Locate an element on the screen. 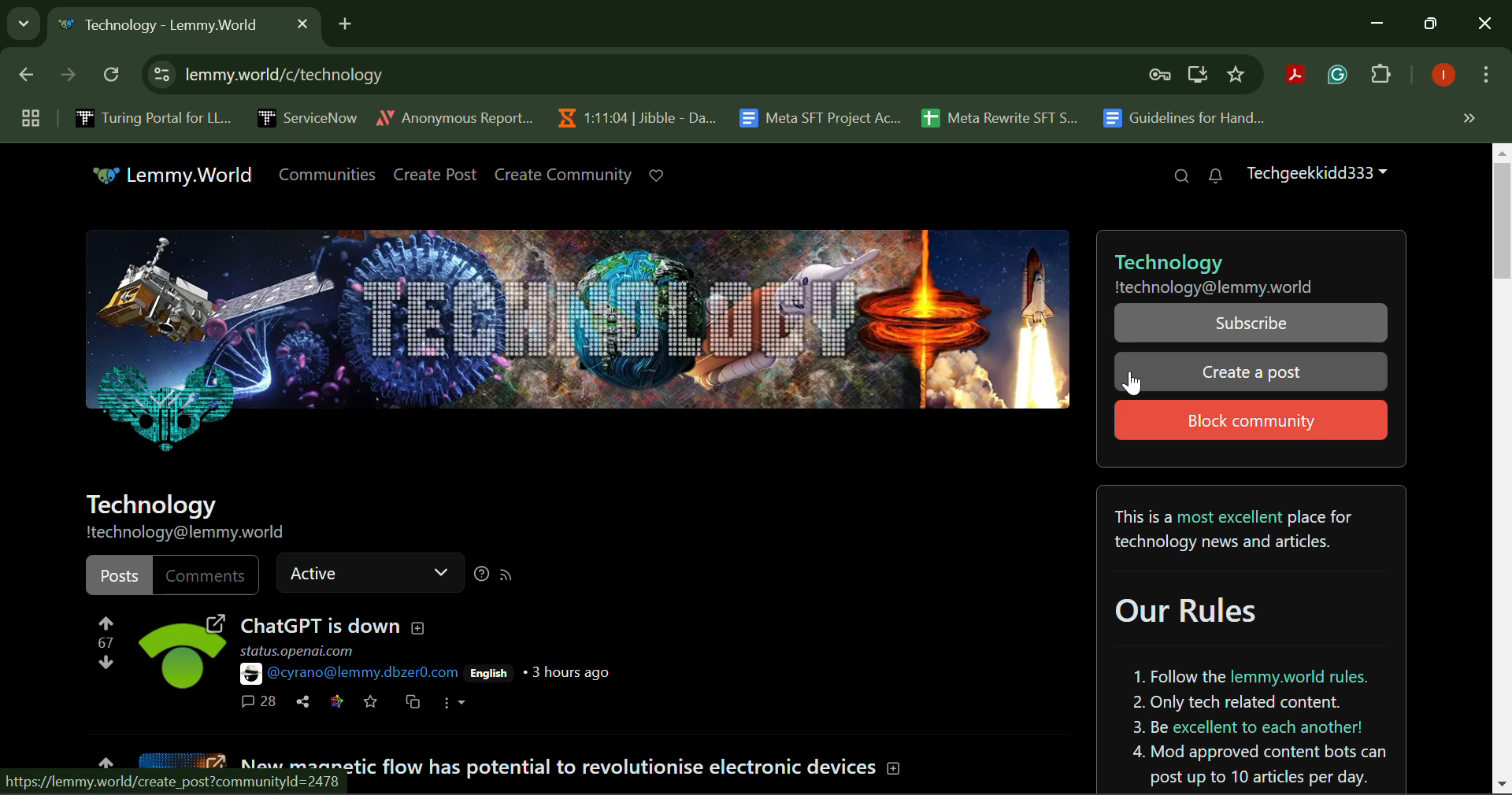 The image size is (1512, 795). Close Window is located at coordinates (1485, 25).